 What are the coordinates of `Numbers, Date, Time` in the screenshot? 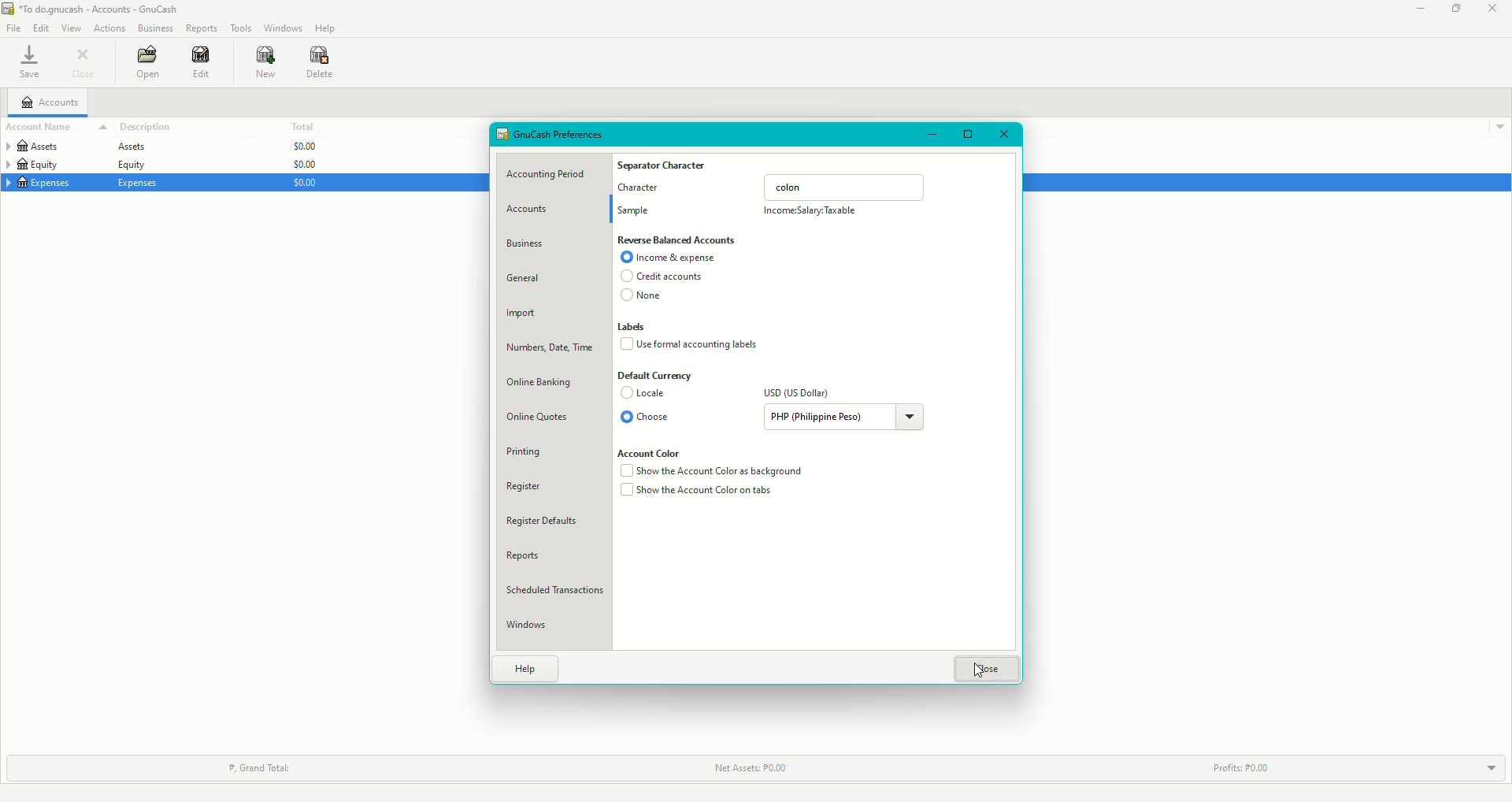 It's located at (547, 351).